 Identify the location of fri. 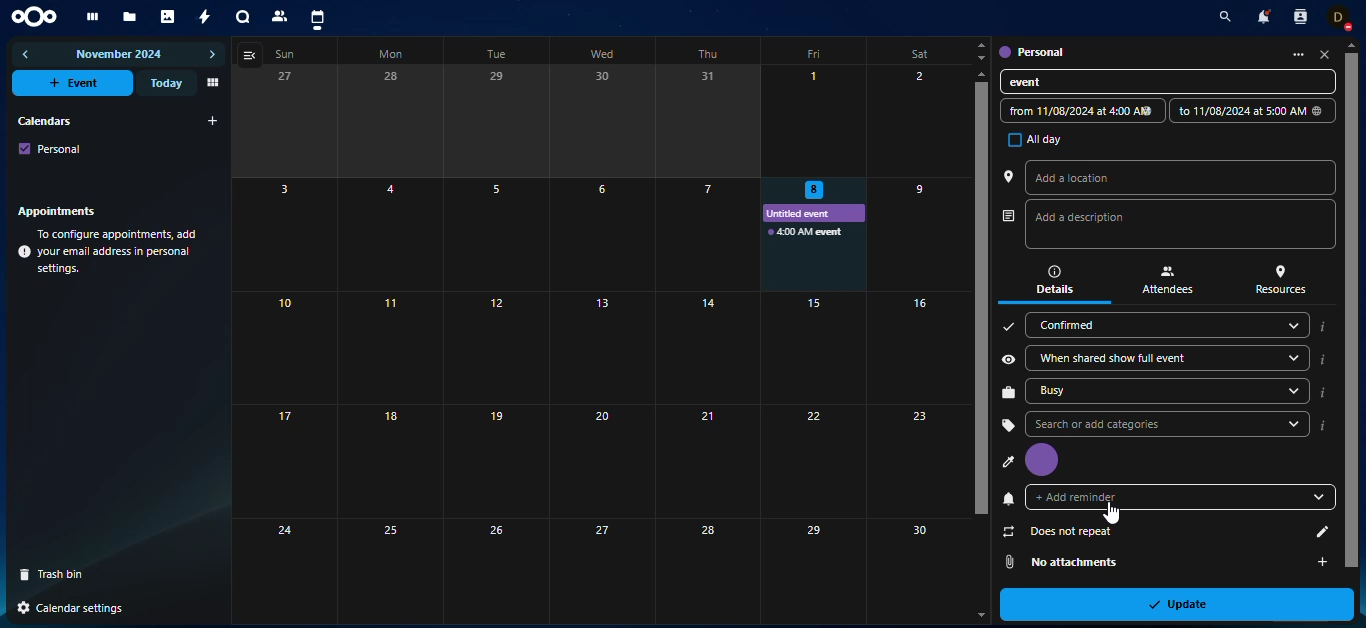
(817, 55).